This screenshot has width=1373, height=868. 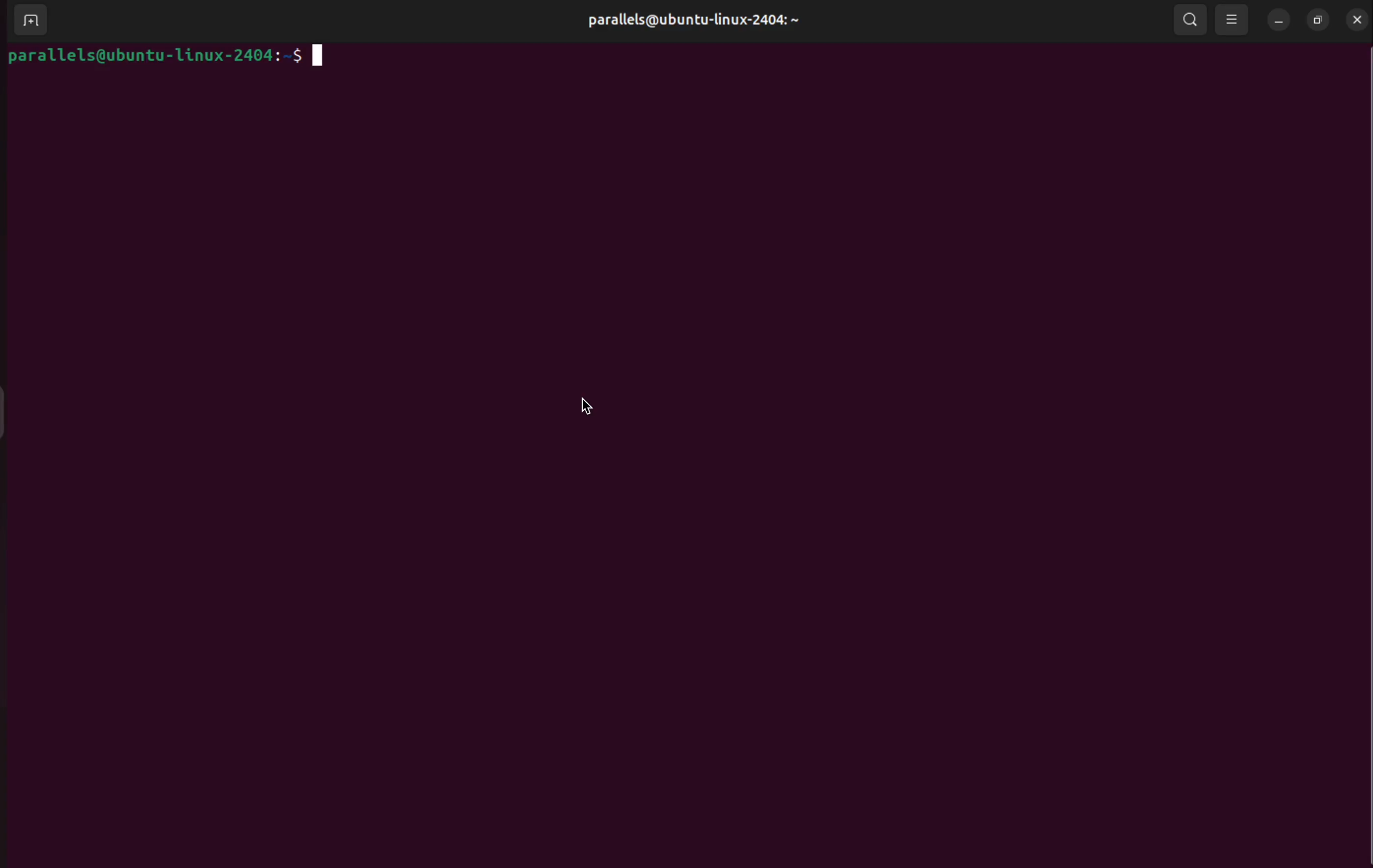 I want to click on parallels@ubuntu, so click(x=686, y=23).